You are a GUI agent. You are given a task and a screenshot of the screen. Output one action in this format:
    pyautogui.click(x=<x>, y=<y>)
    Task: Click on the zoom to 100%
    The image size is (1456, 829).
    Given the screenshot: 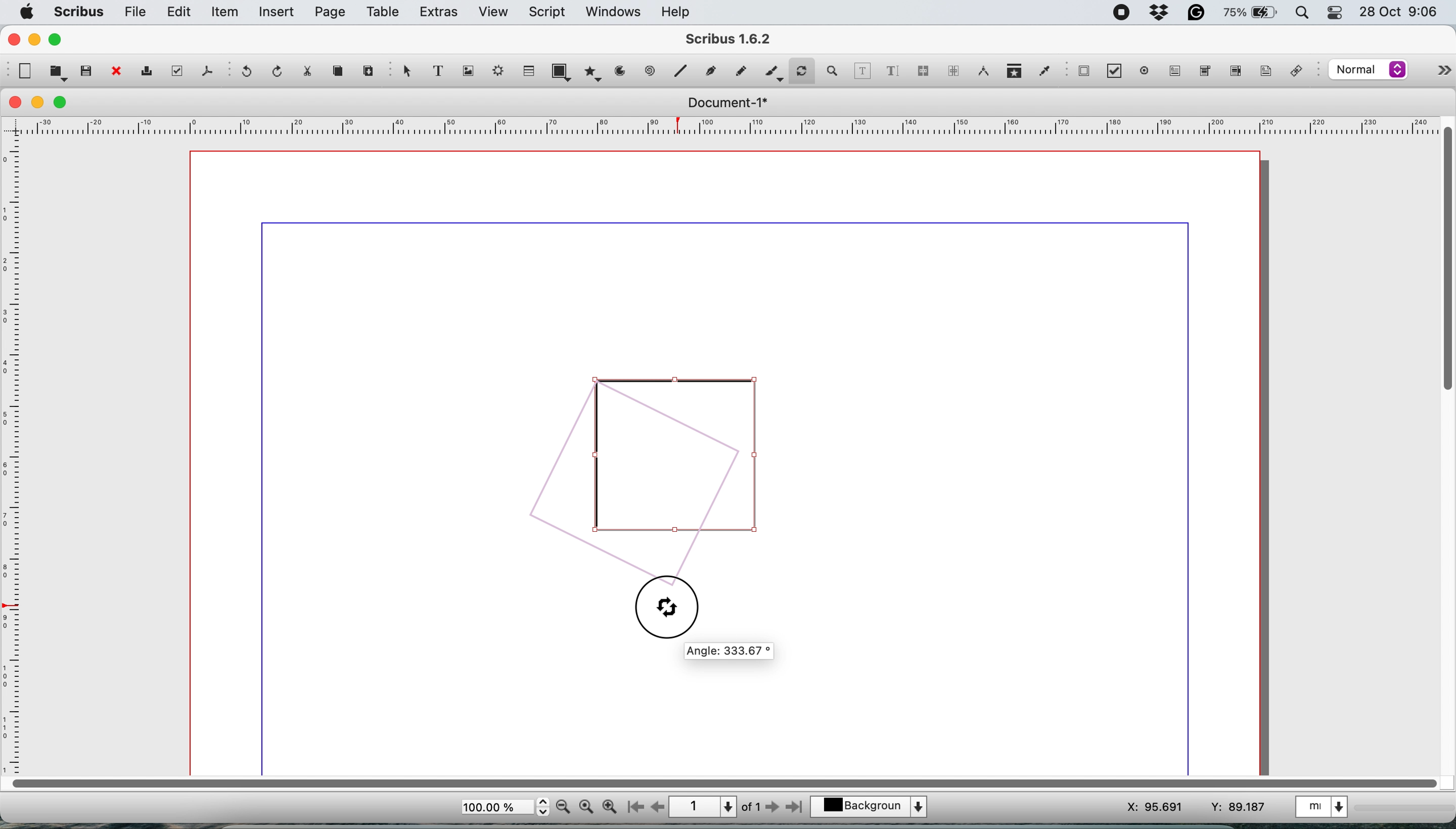 What is the action you would take?
    pyautogui.click(x=586, y=808)
    